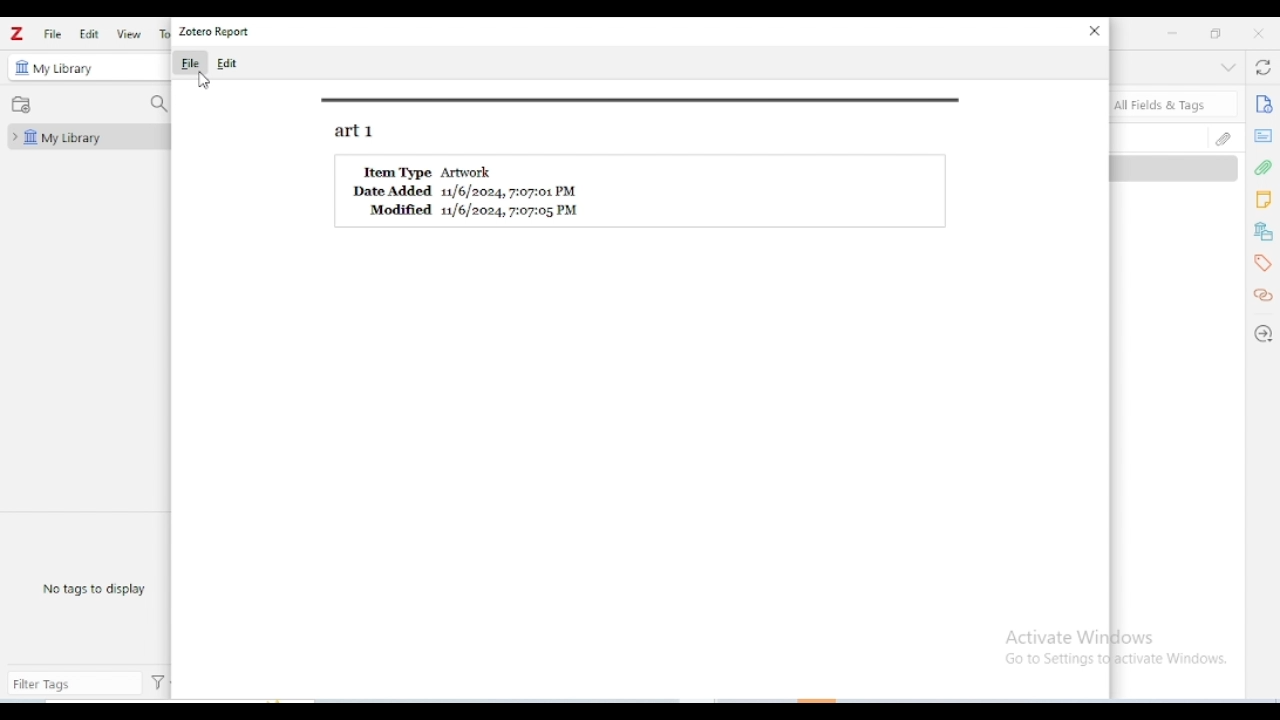 This screenshot has width=1280, height=720. Describe the element at coordinates (20, 67) in the screenshot. I see `icon` at that location.